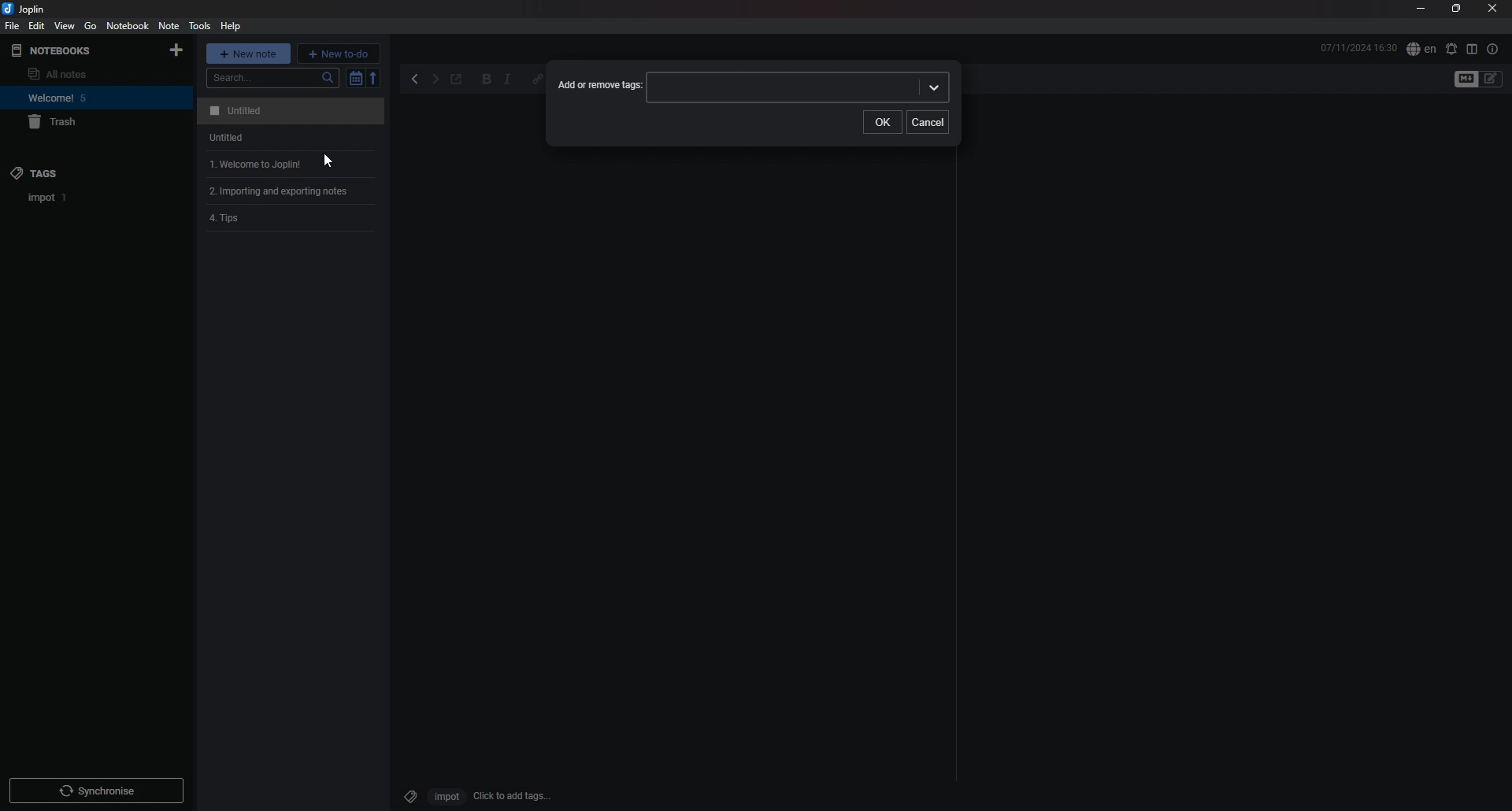 Image resolution: width=1512 pixels, height=811 pixels. Describe the element at coordinates (324, 161) in the screenshot. I see `Cursor` at that location.